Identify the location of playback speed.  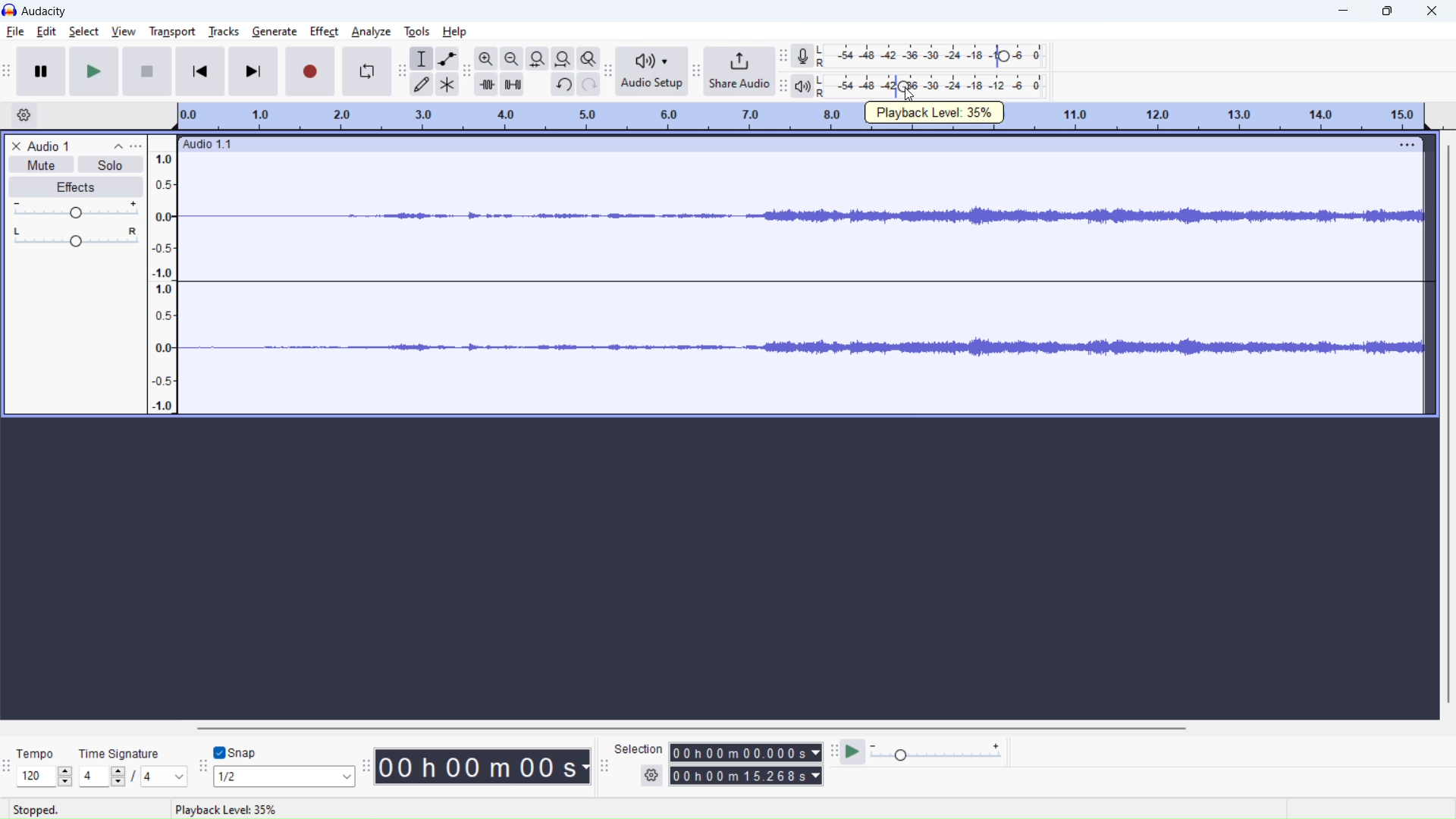
(936, 752).